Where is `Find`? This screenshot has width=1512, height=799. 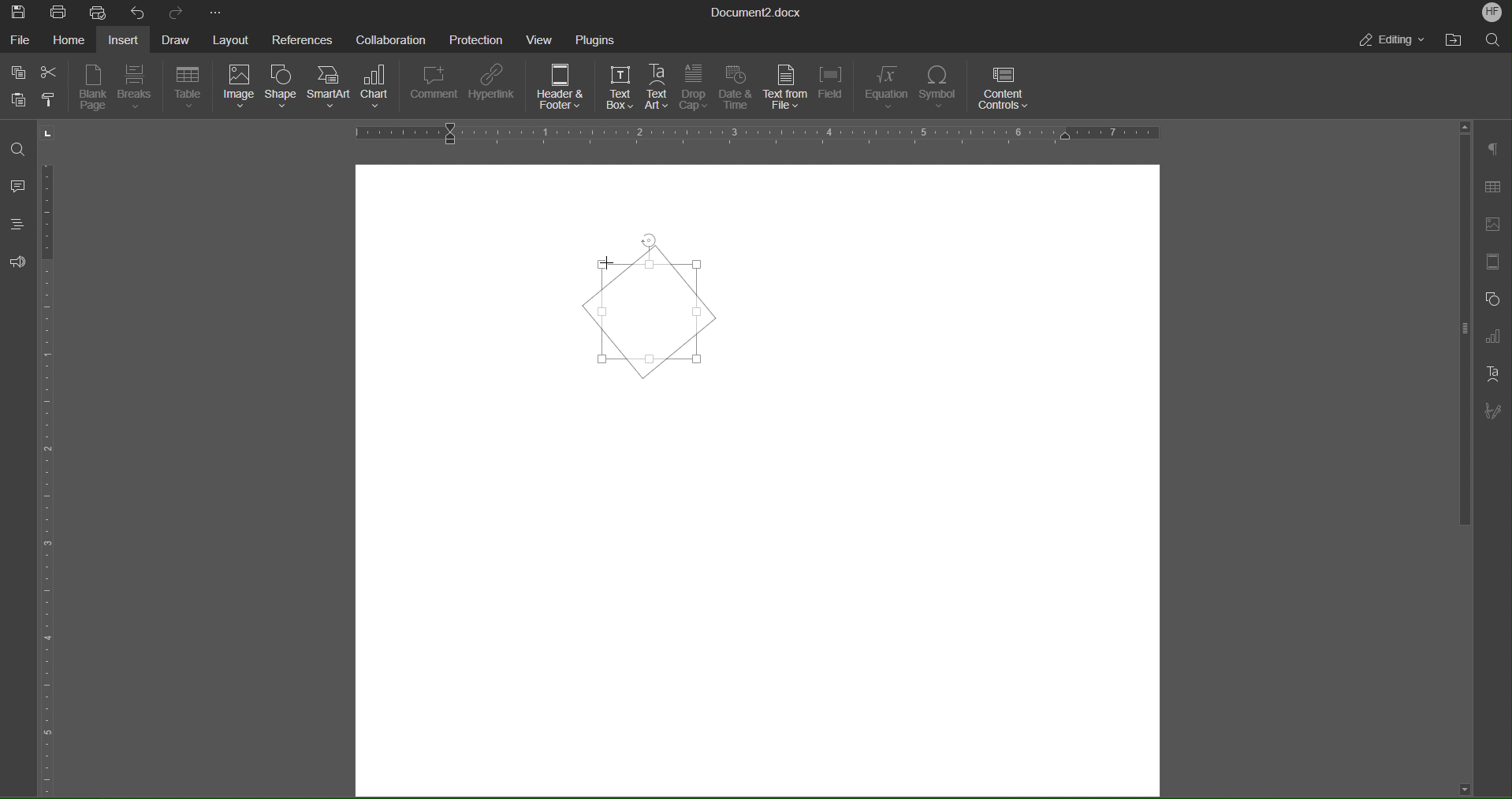
Find is located at coordinates (20, 150).